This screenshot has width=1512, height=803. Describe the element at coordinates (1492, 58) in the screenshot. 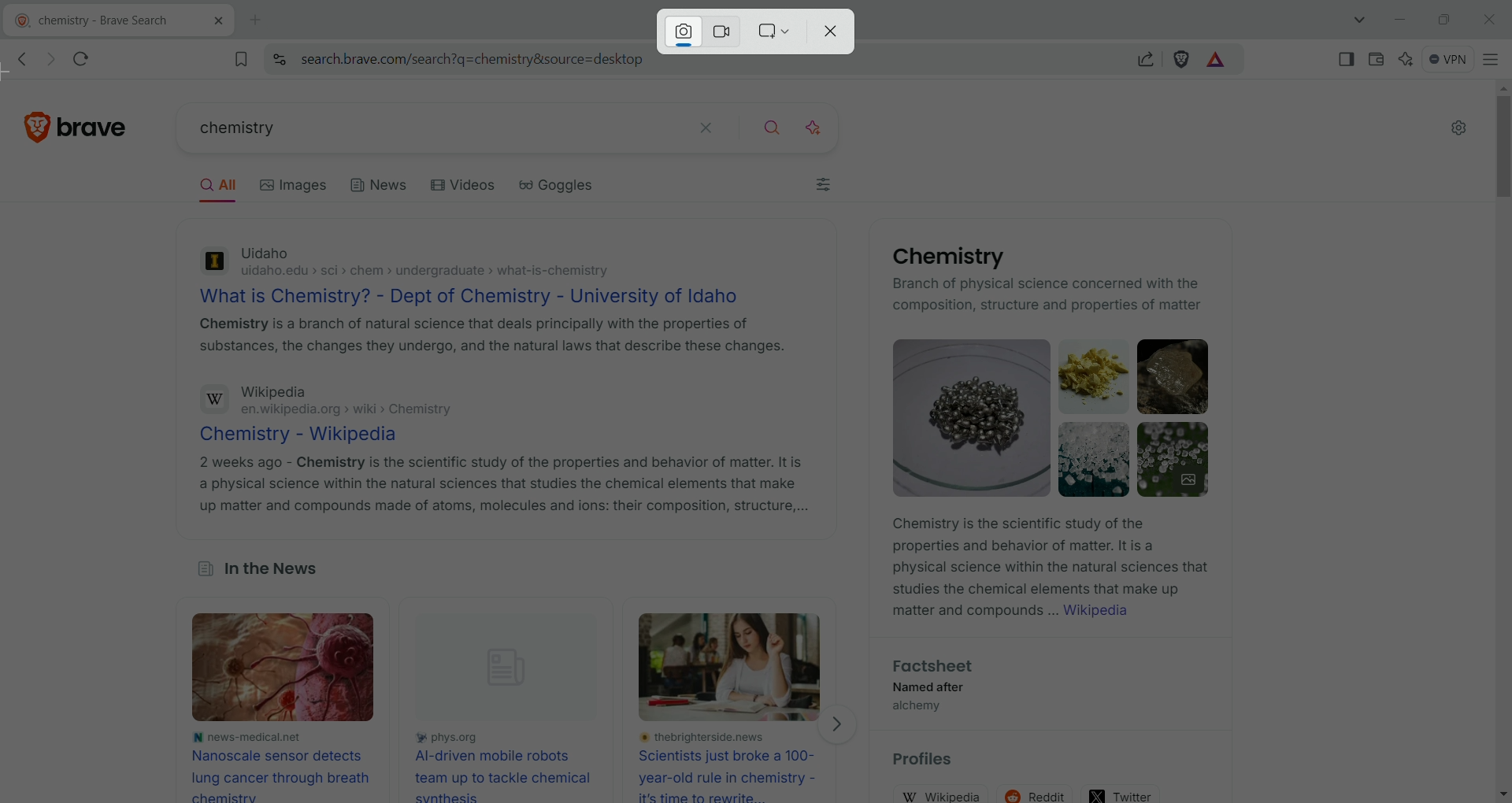

I see `customize and control Brave` at that location.